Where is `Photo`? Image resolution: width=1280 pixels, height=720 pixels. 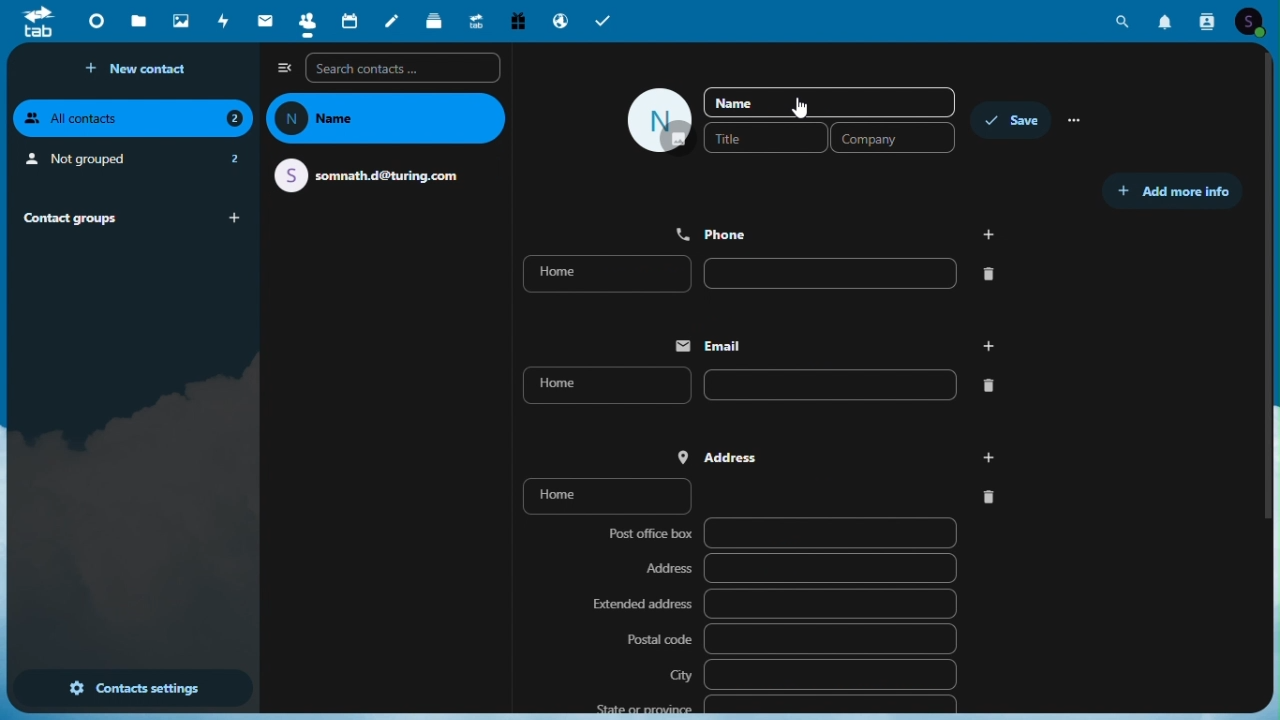
Photo is located at coordinates (180, 21).